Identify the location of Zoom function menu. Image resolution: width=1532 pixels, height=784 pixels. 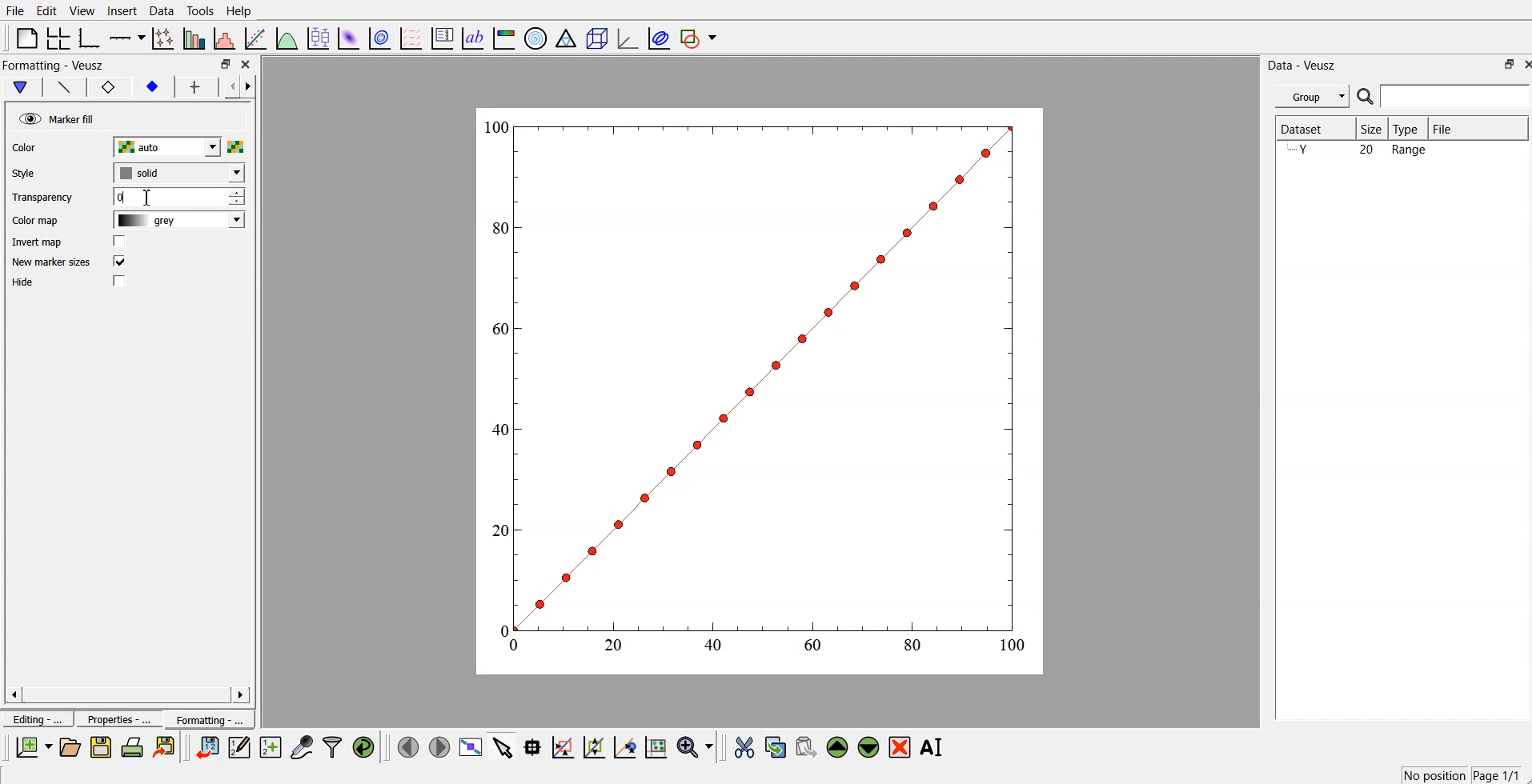
(696, 746).